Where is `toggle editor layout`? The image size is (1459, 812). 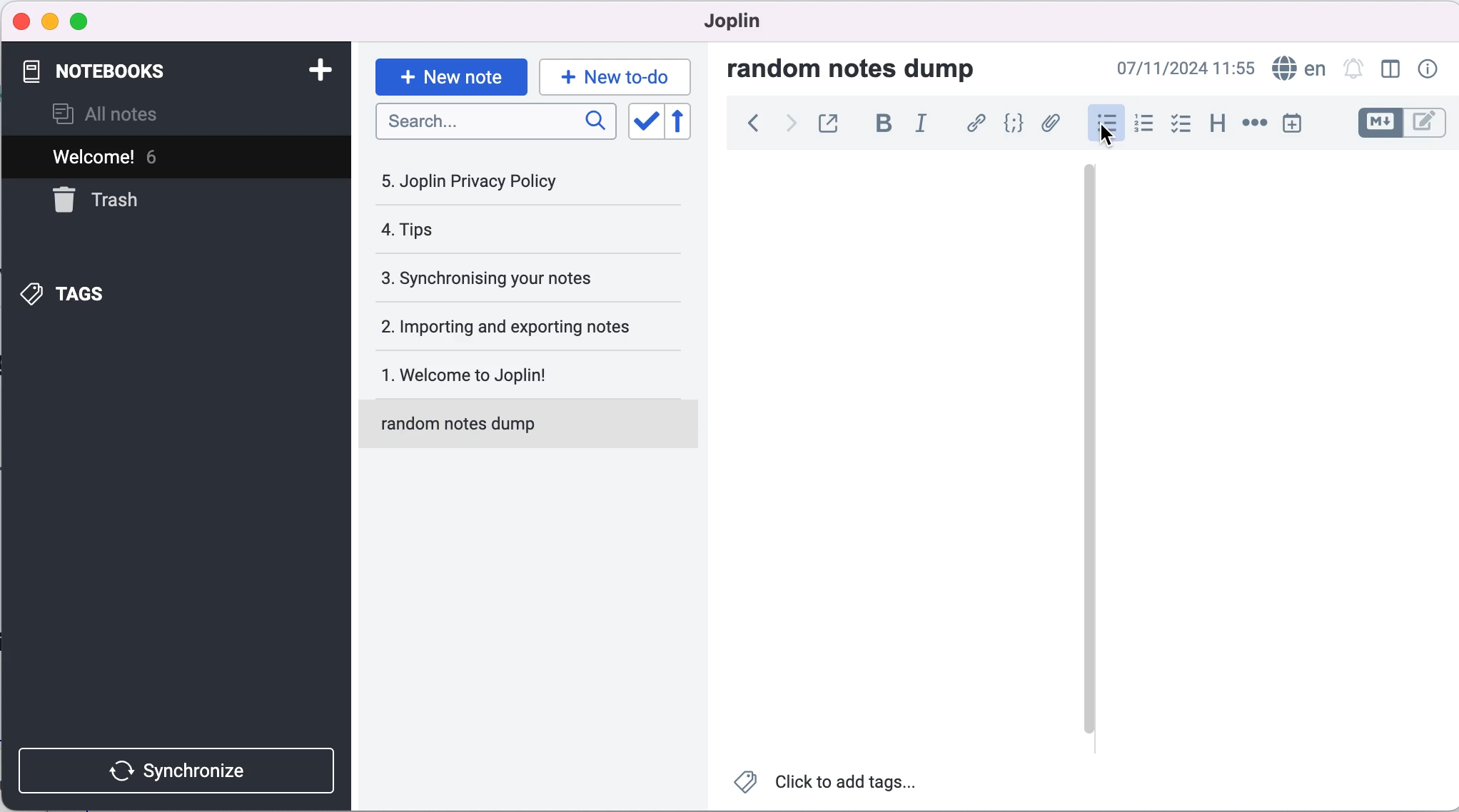
toggle editor layout is located at coordinates (1390, 70).